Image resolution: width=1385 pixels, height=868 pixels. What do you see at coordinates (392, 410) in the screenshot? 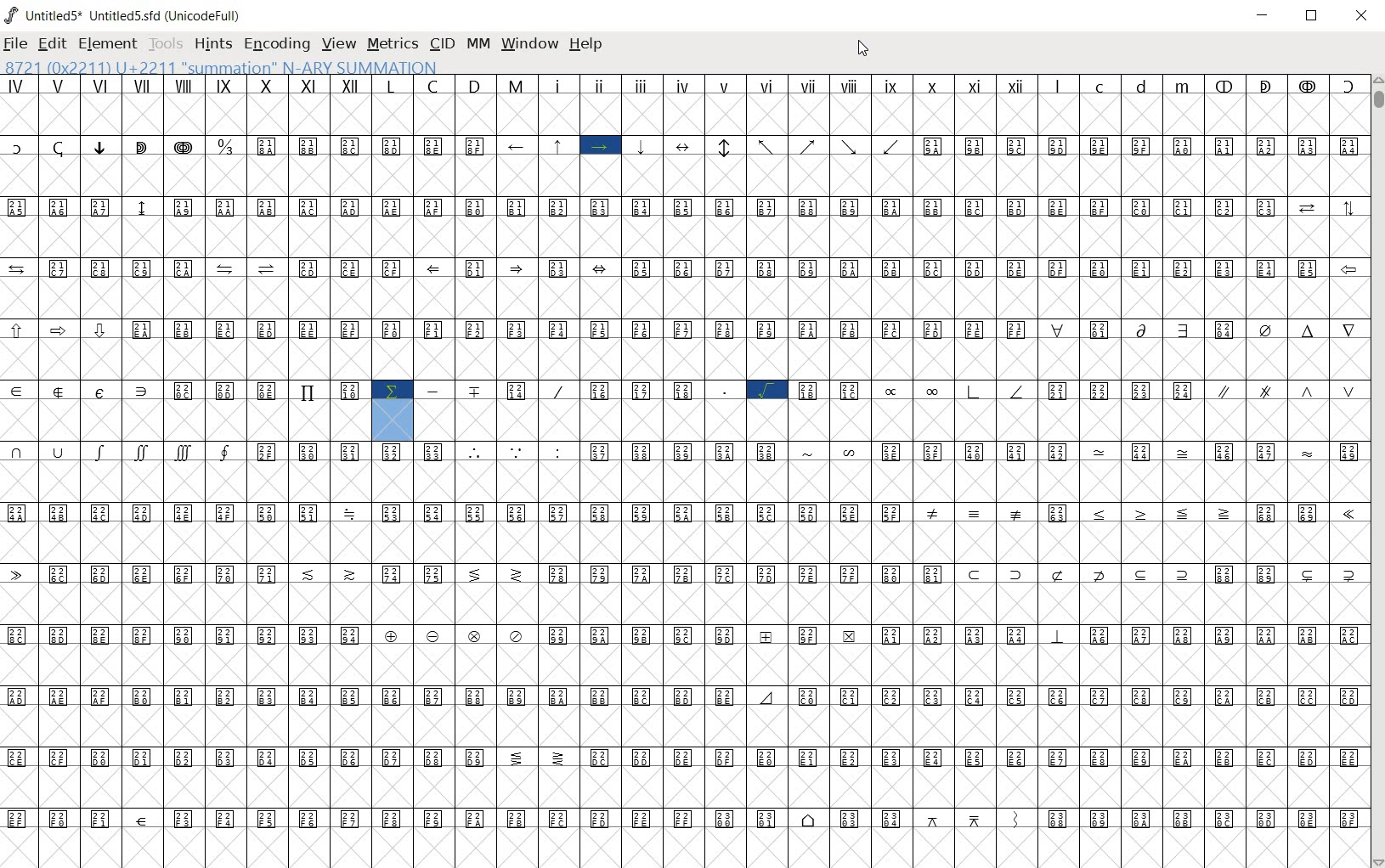
I see `highlighted symbol` at bounding box center [392, 410].